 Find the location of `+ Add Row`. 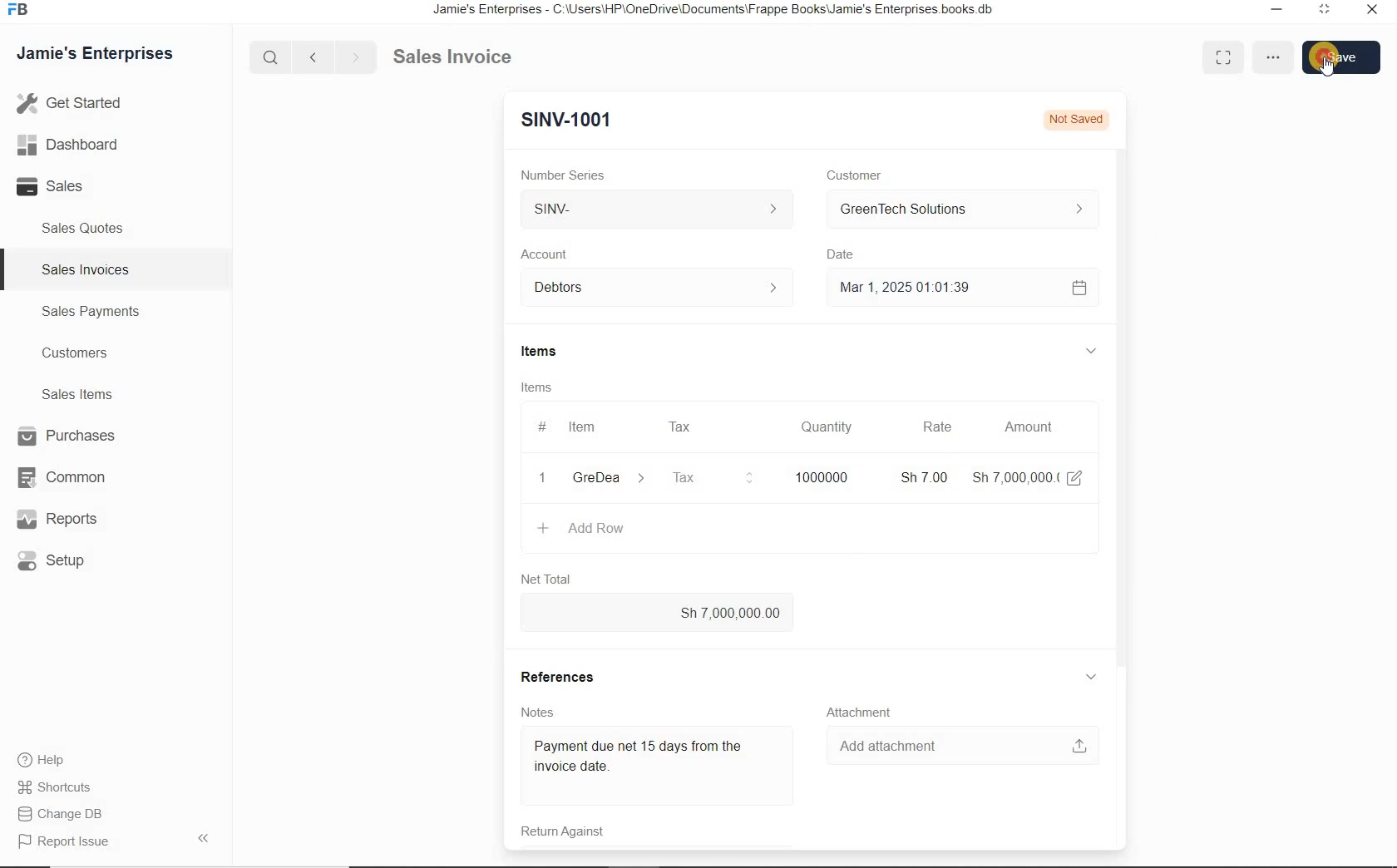

+ Add Row is located at coordinates (581, 530).